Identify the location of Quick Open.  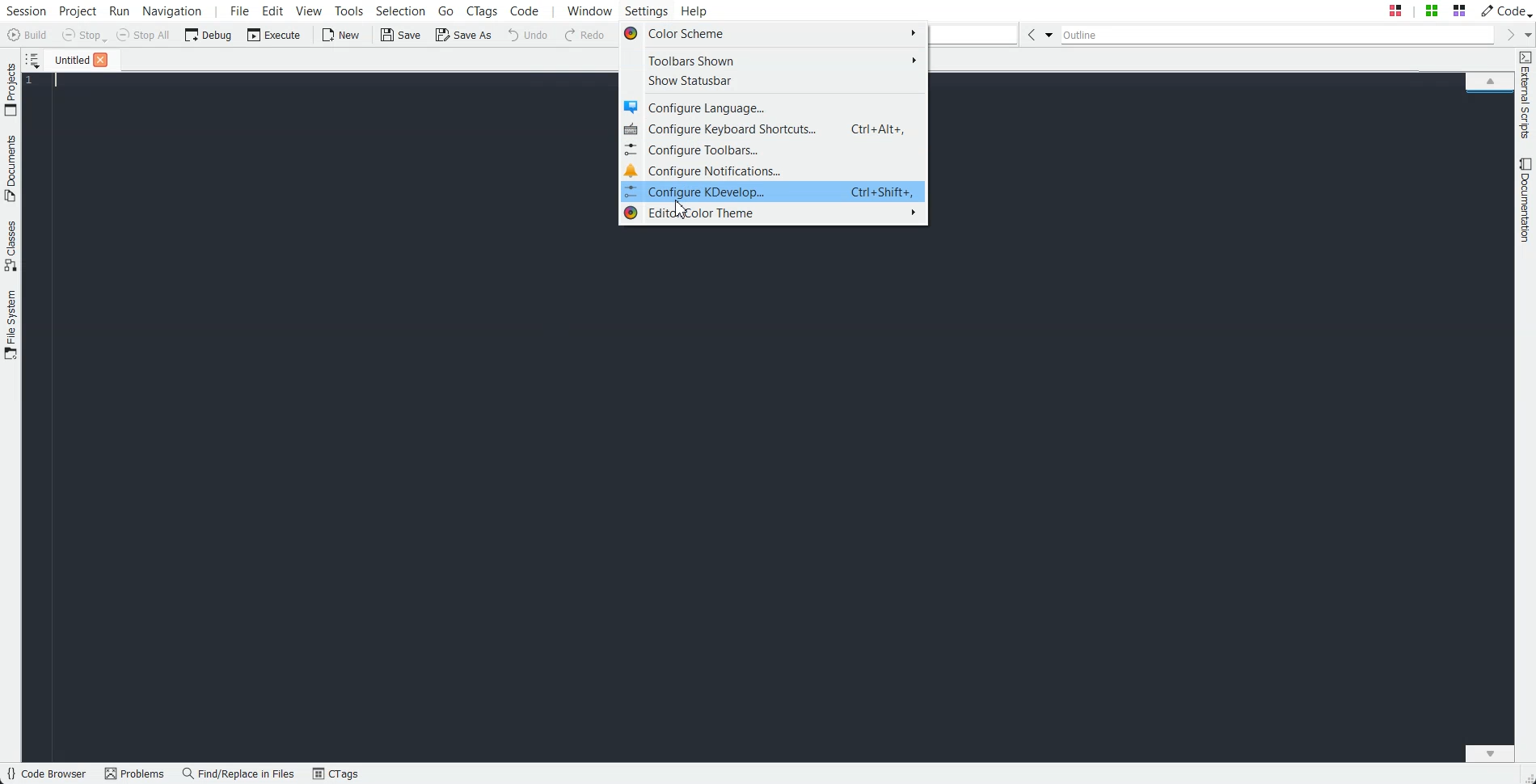
(1427, 11).